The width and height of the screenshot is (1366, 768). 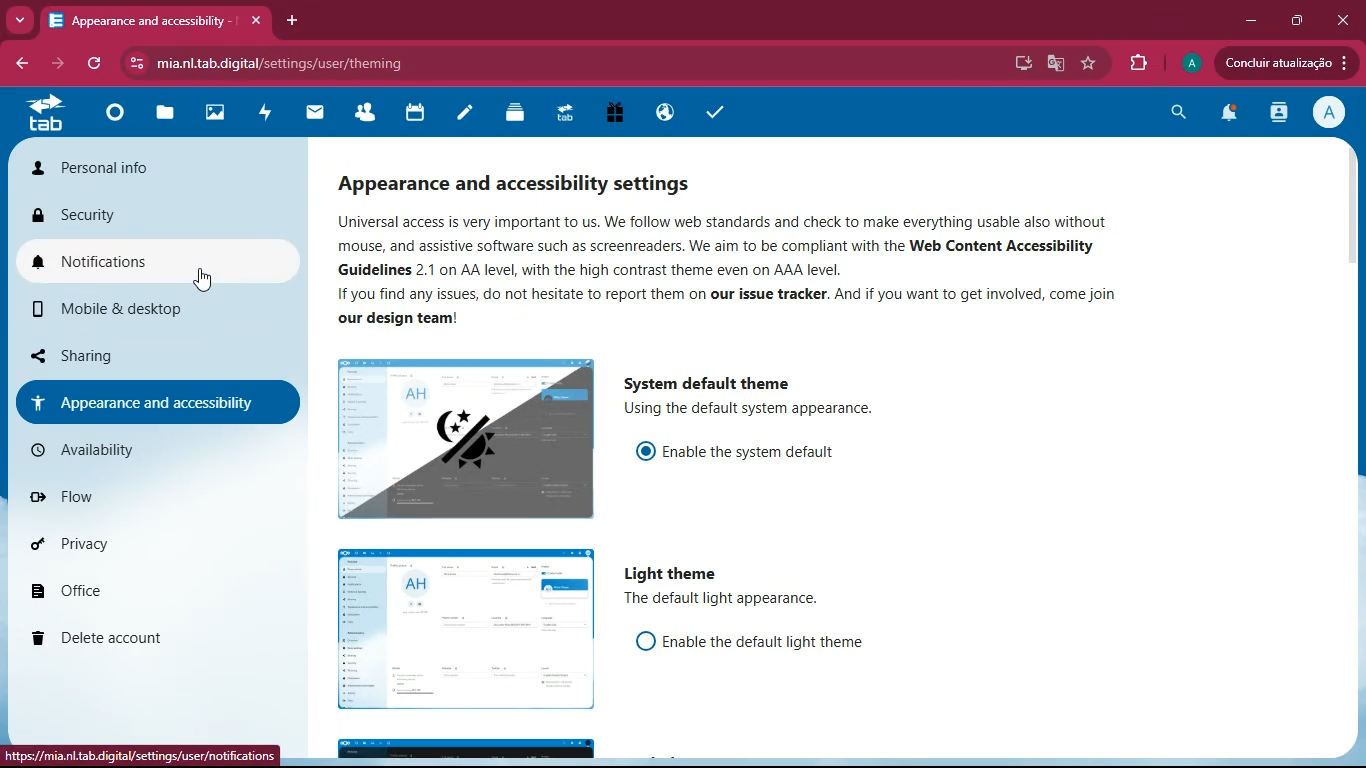 I want to click on more, so click(x=20, y=19).